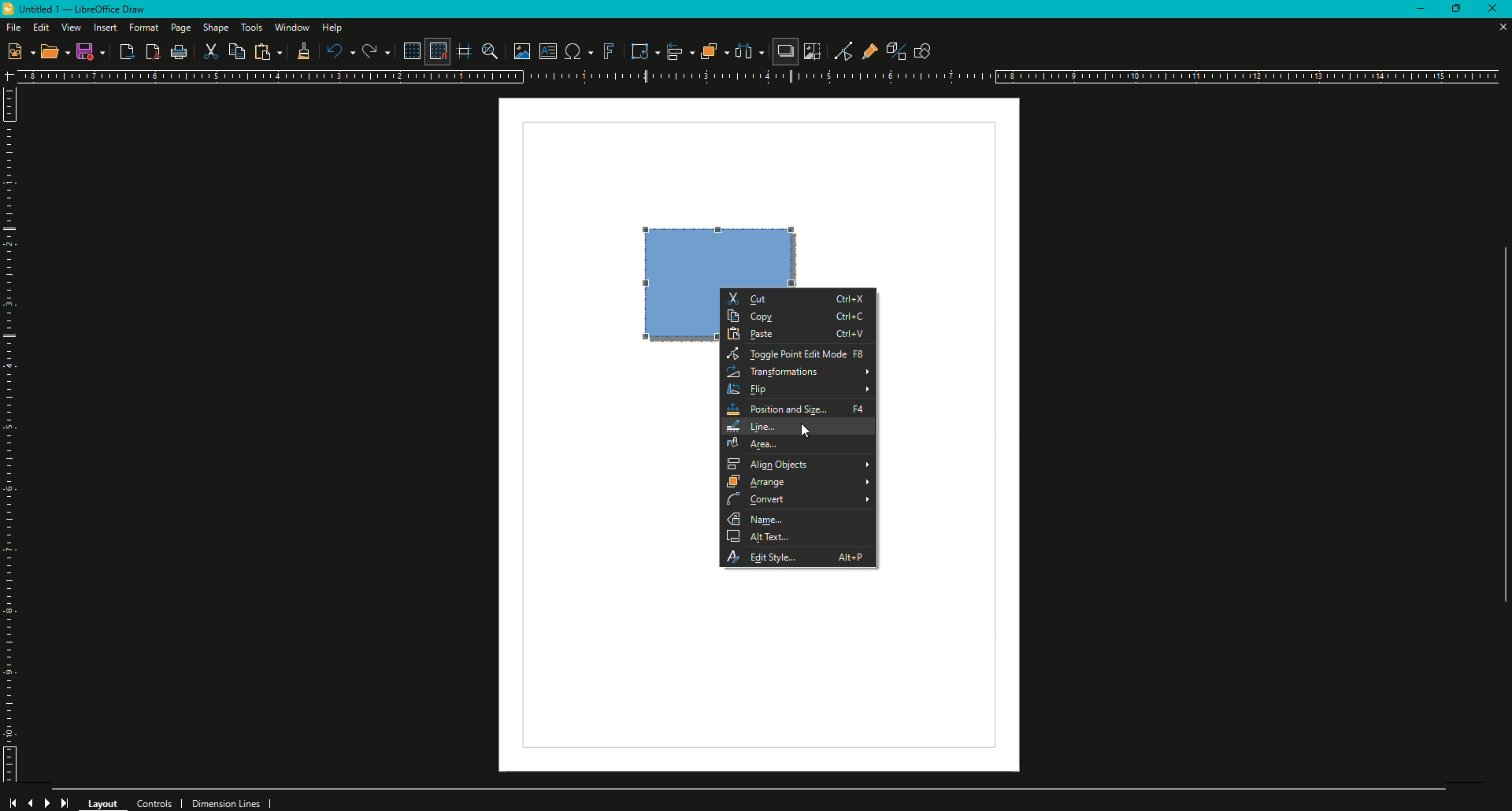 The height and width of the screenshot is (811, 1512). Describe the element at coordinates (488, 50) in the screenshot. I see `Zoom and Pan` at that location.